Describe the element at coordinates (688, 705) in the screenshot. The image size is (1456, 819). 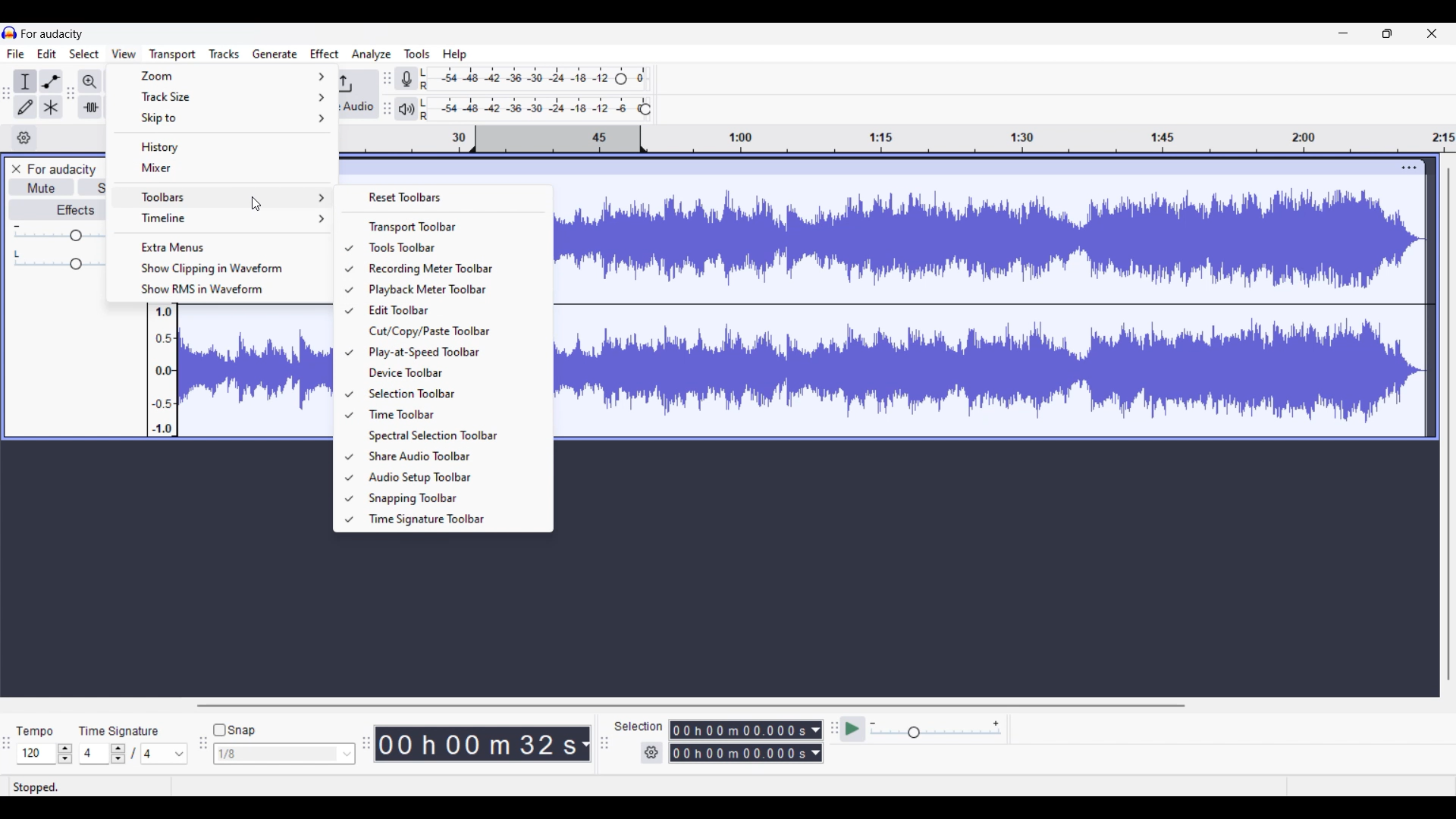
I see `Horizontal slide bar` at that location.